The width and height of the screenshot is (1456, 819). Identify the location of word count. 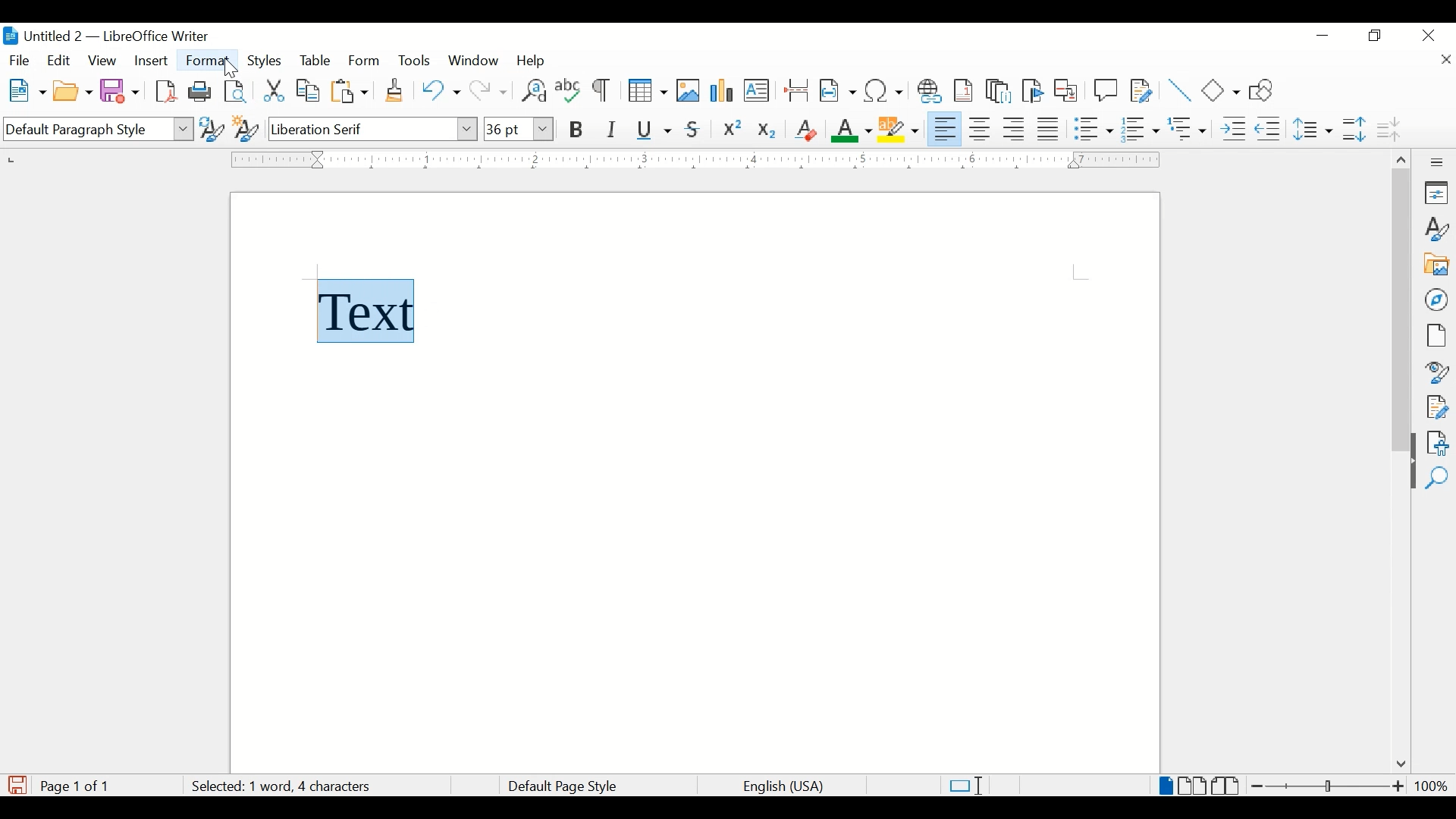
(305, 787).